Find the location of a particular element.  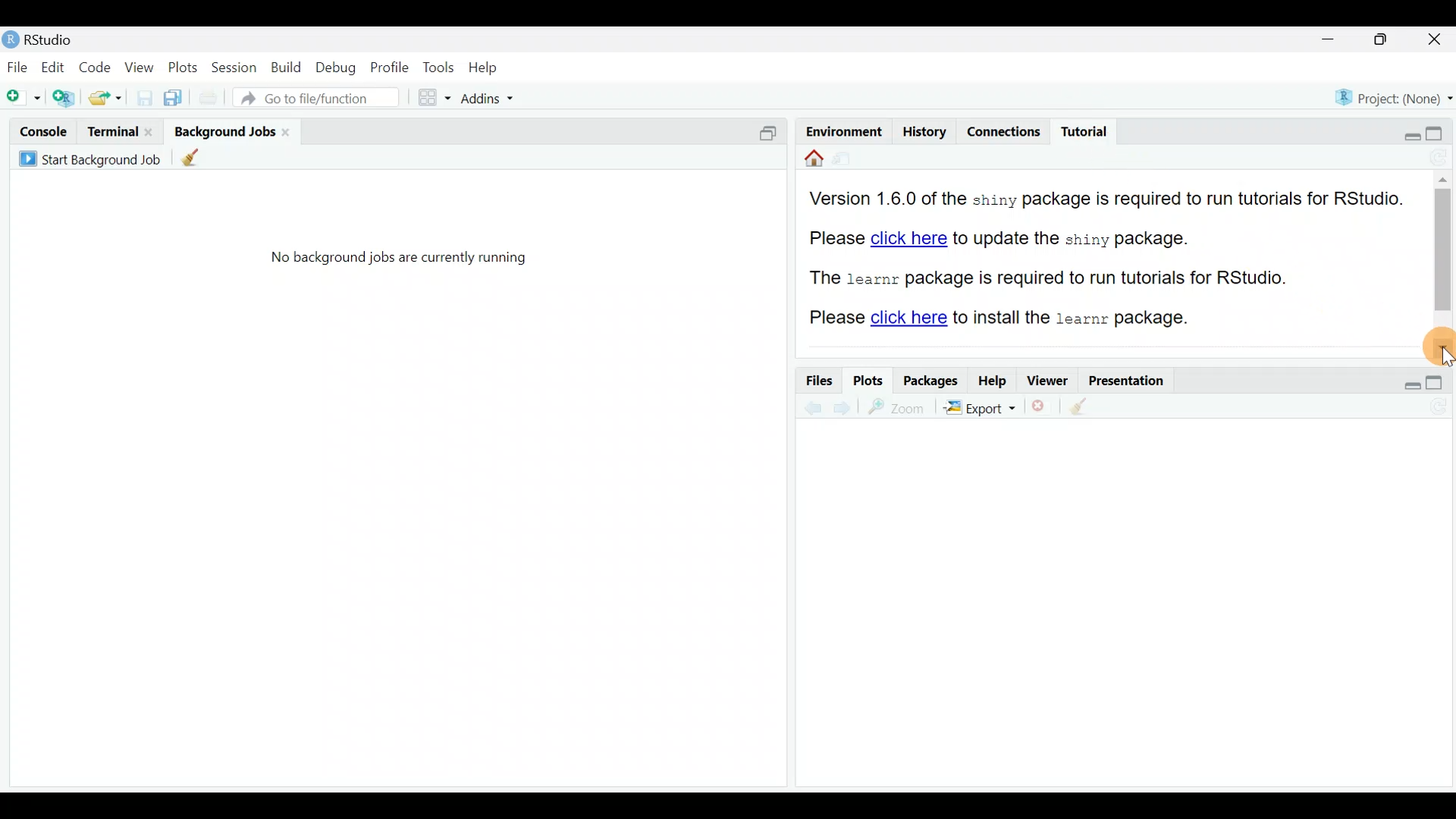

to update the shiny package. is located at coordinates (1082, 238).